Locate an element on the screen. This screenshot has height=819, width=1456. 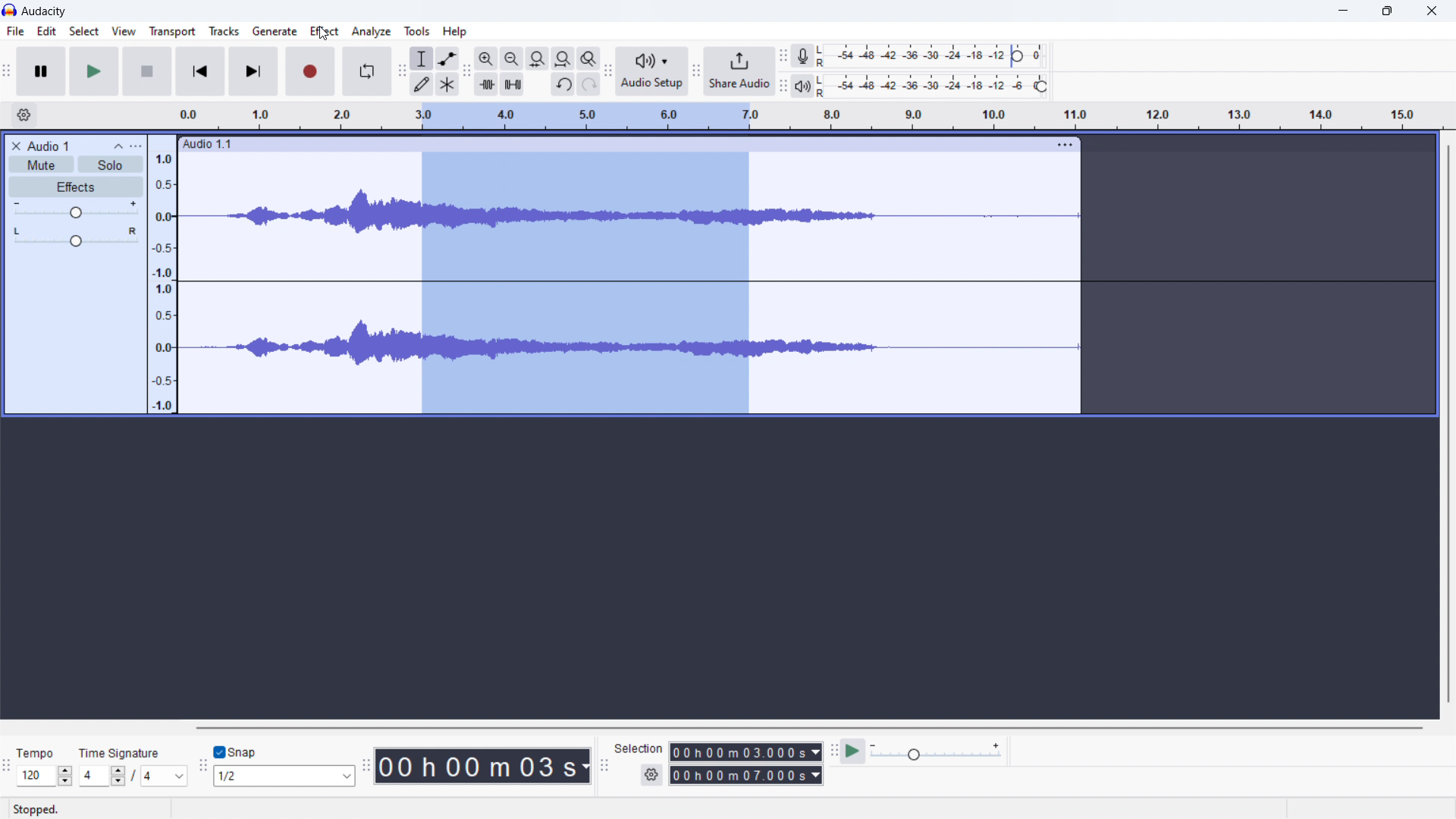
skip to end is located at coordinates (253, 72).